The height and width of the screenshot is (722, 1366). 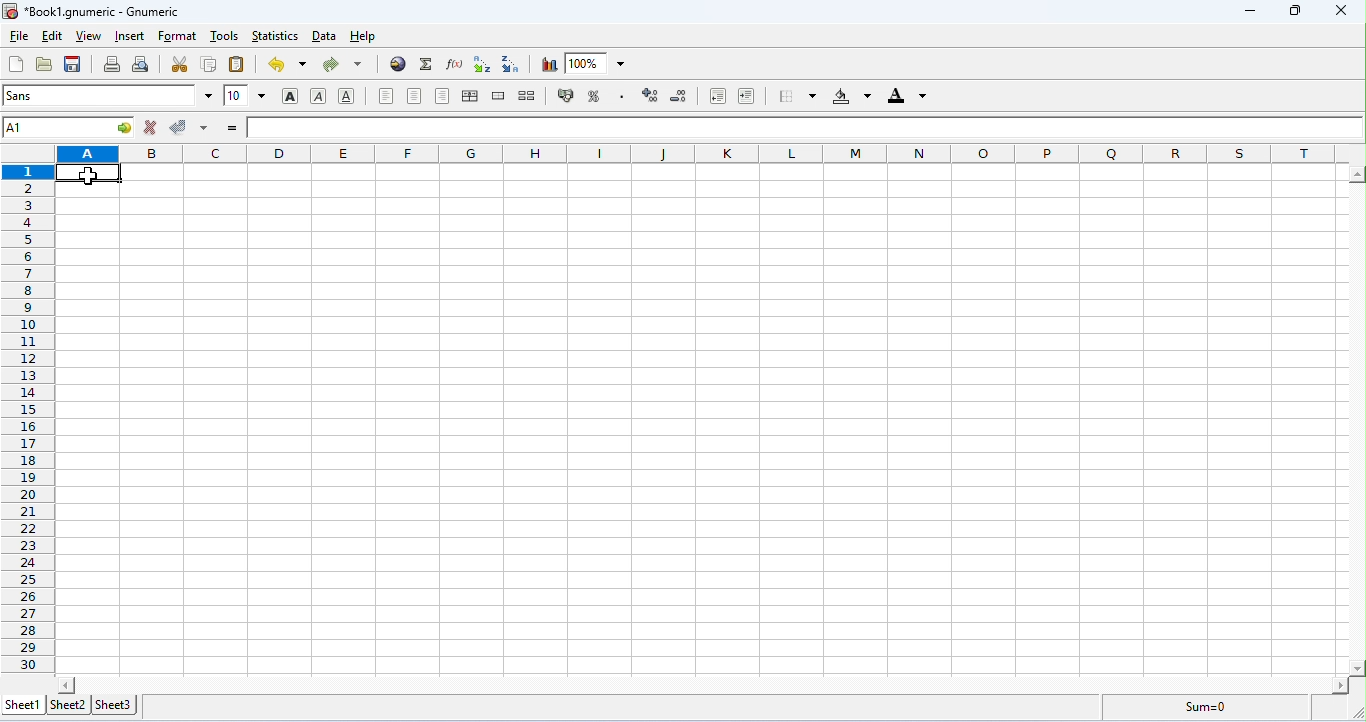 What do you see at coordinates (179, 65) in the screenshot?
I see `cut` at bounding box center [179, 65].